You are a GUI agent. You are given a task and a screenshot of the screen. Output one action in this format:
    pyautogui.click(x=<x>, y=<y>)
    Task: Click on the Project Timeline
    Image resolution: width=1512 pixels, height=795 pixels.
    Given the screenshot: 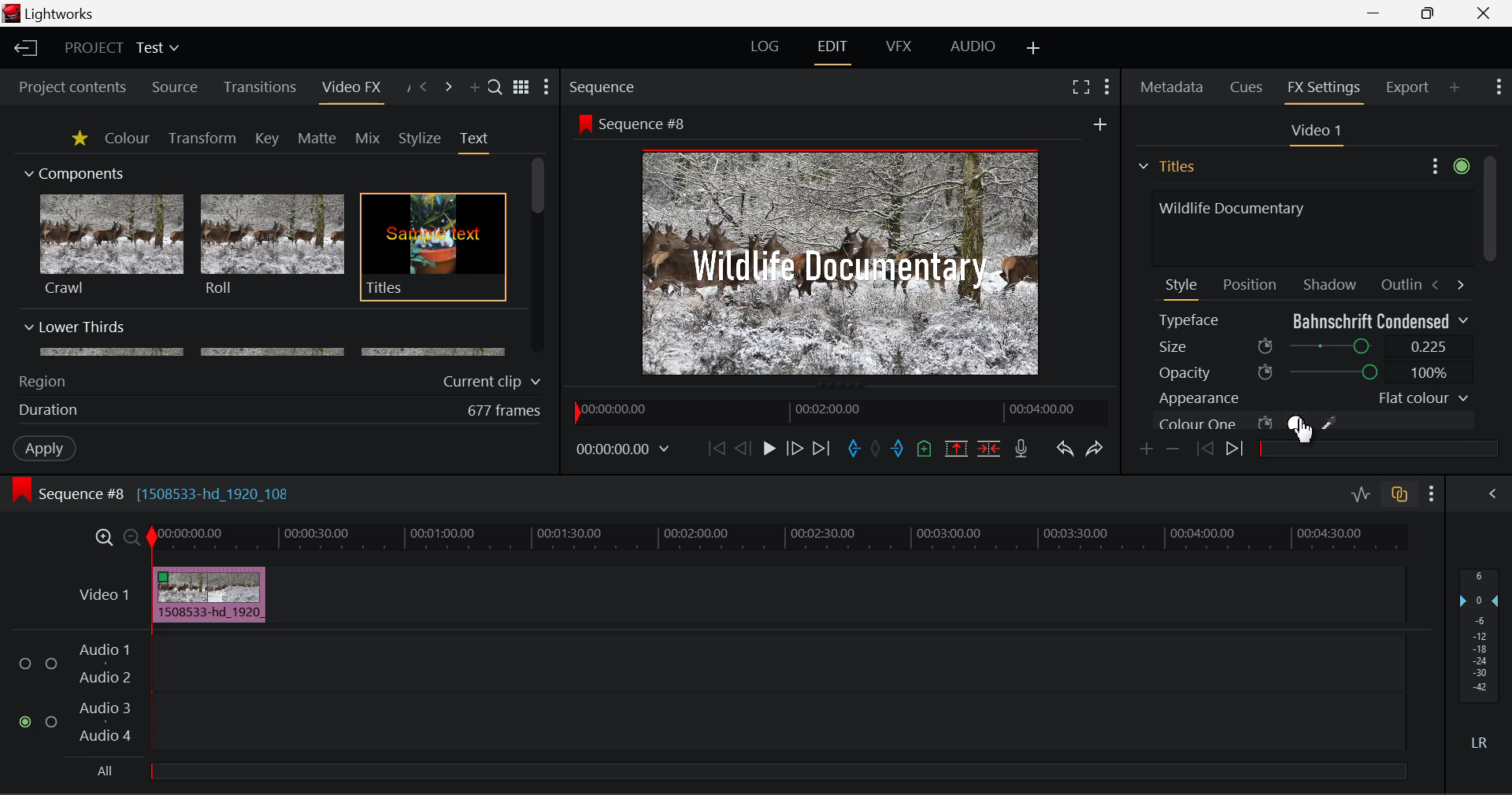 What is the action you would take?
    pyautogui.click(x=779, y=538)
    